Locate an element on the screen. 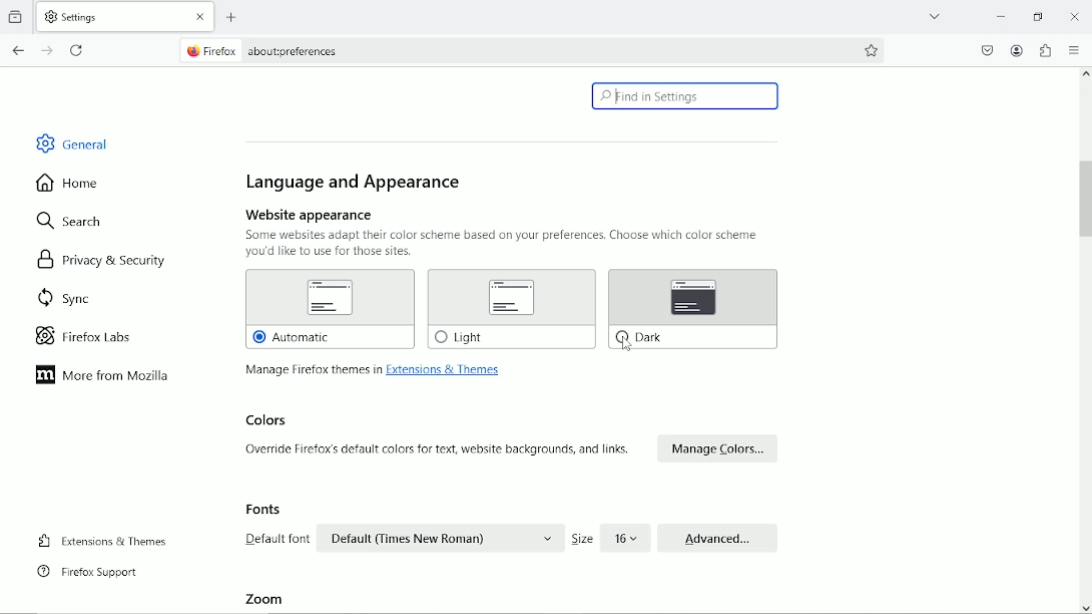 Image resolution: width=1092 pixels, height=614 pixels. View recent browsing is located at coordinates (15, 17).